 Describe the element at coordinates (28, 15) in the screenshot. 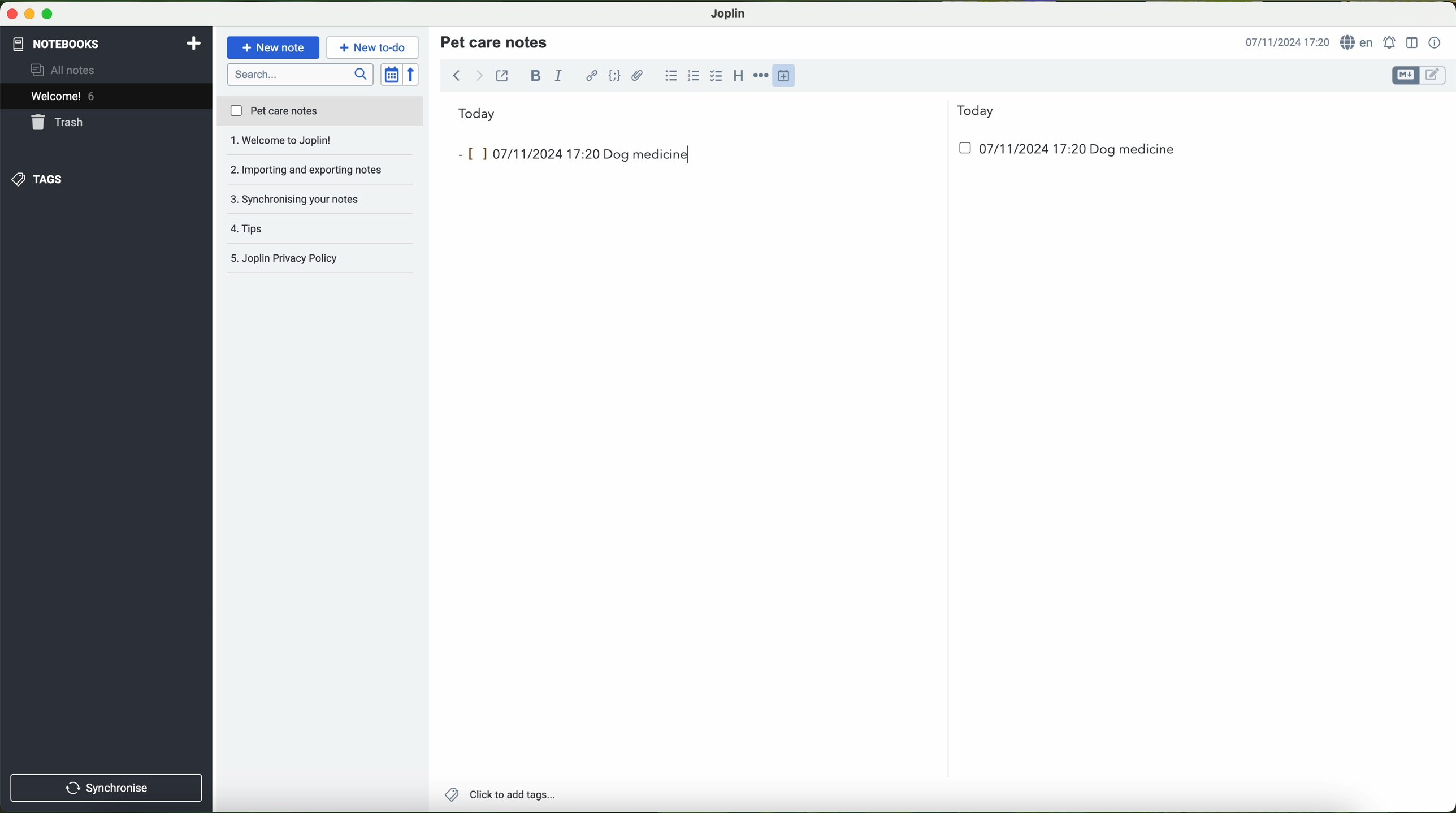

I see `screen buttons` at that location.